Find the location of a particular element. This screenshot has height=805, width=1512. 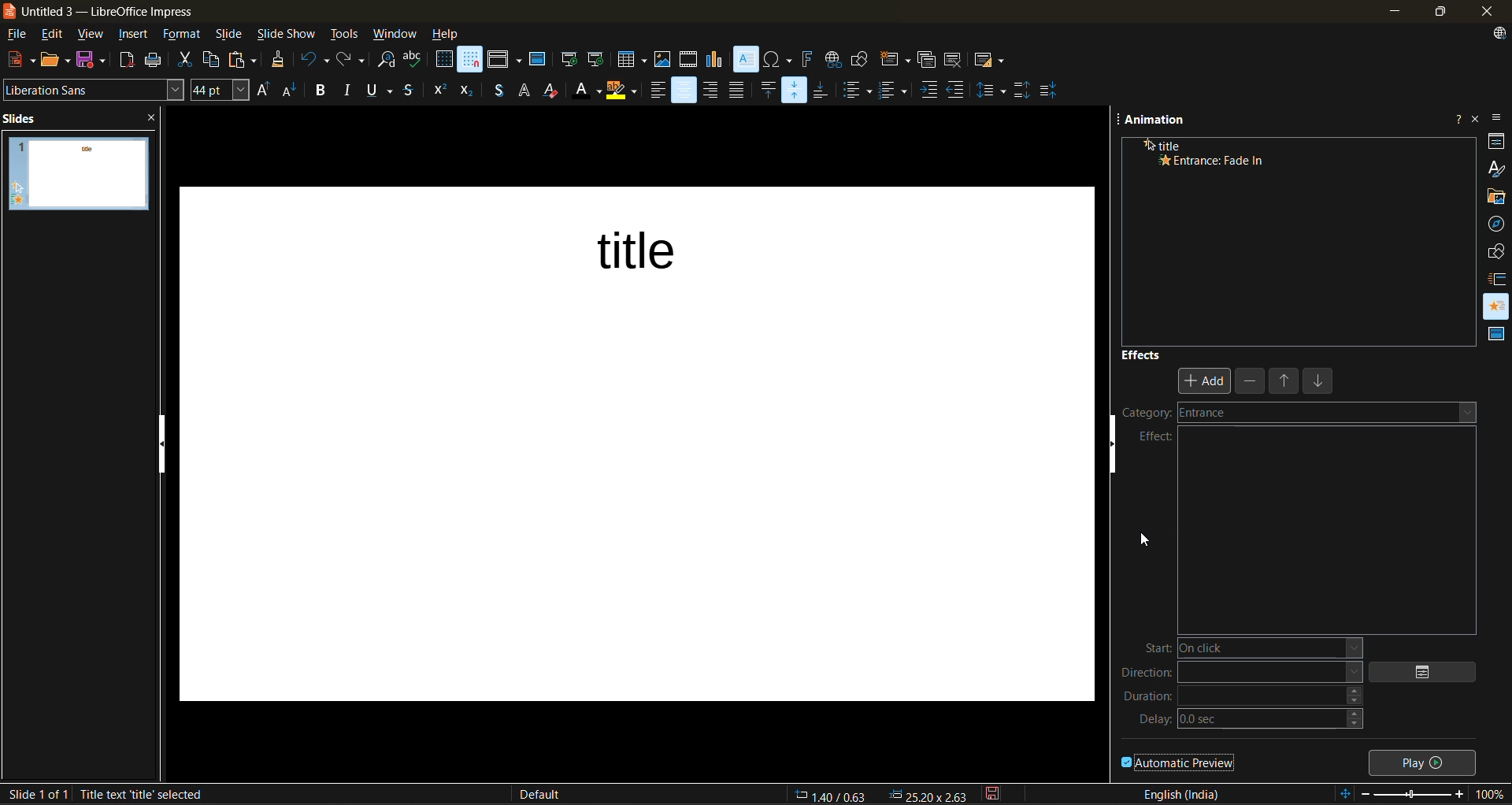

view is located at coordinates (94, 35).